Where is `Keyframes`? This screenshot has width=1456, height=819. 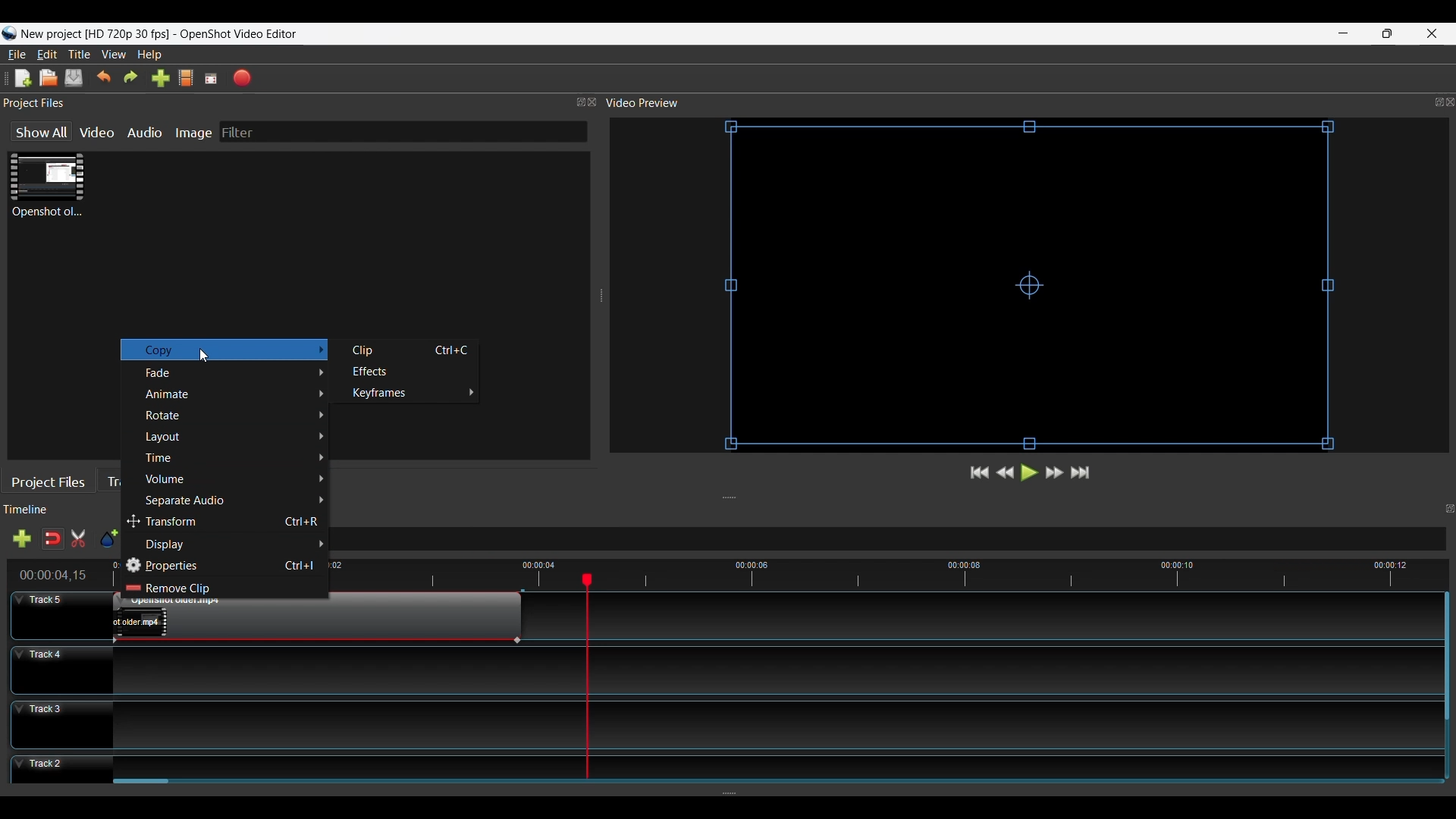
Keyframes is located at coordinates (406, 395).